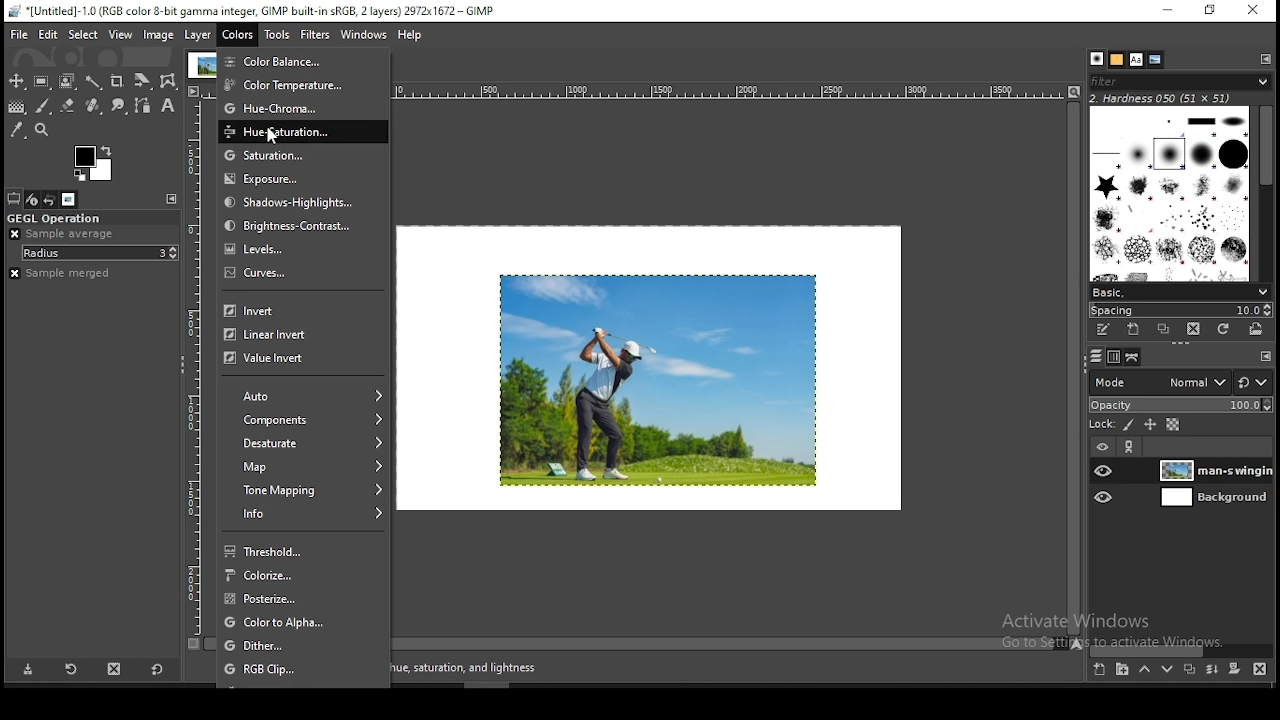  What do you see at coordinates (83, 33) in the screenshot?
I see `select` at bounding box center [83, 33].